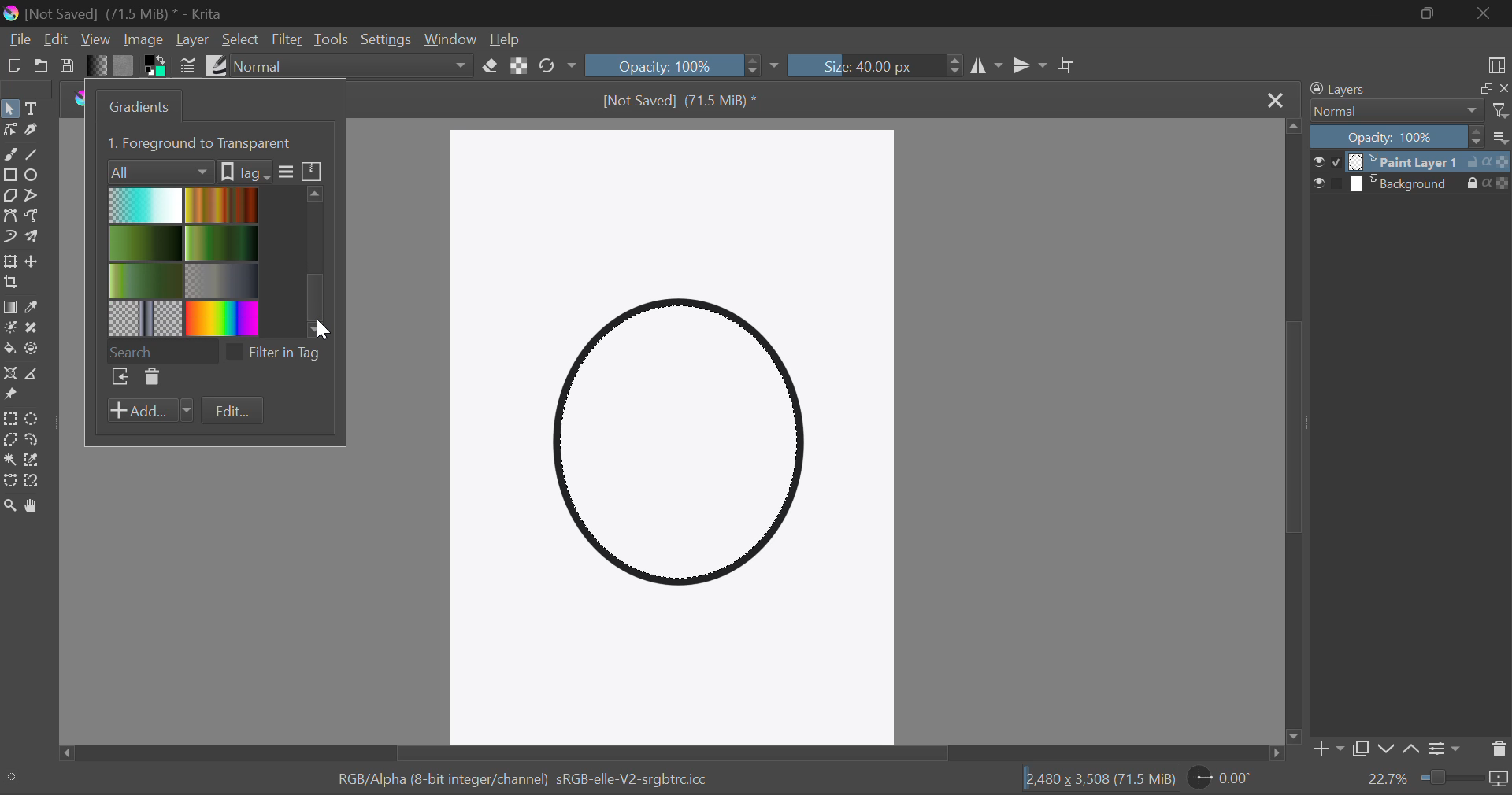 The image size is (1512, 795). I want to click on Vertical Mirror Flip, so click(988, 66).